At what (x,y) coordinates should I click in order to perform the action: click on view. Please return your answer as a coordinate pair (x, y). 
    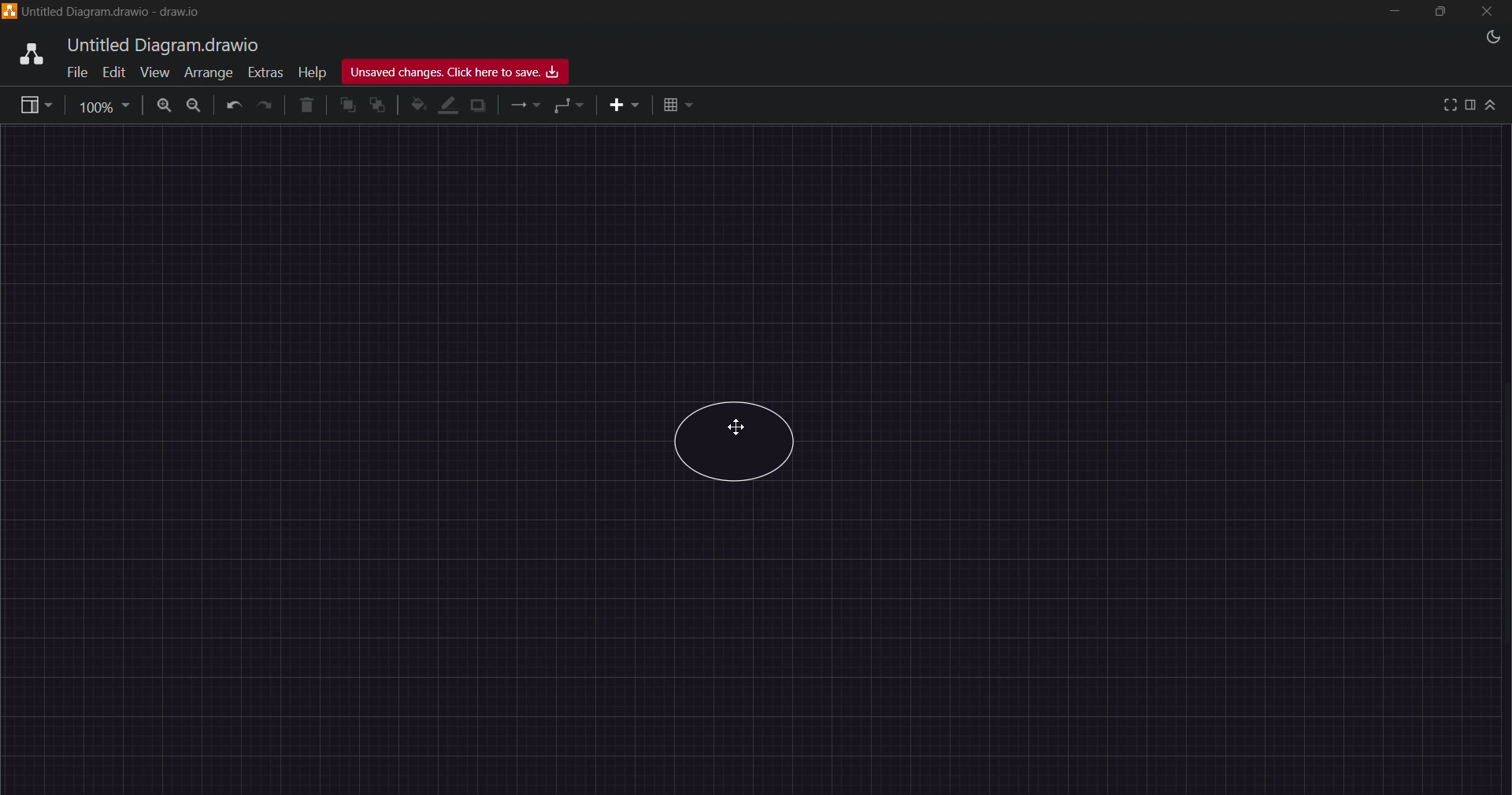
    Looking at the image, I should click on (155, 72).